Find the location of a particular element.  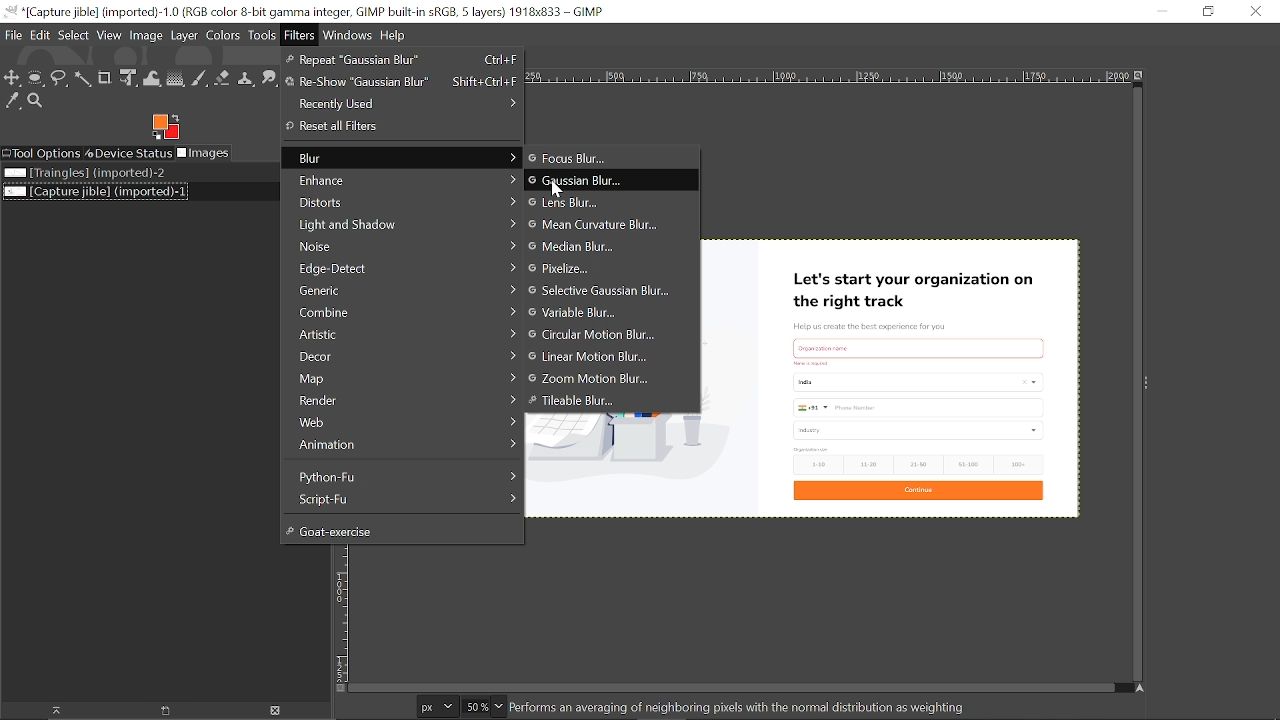

Distorts is located at coordinates (401, 203).